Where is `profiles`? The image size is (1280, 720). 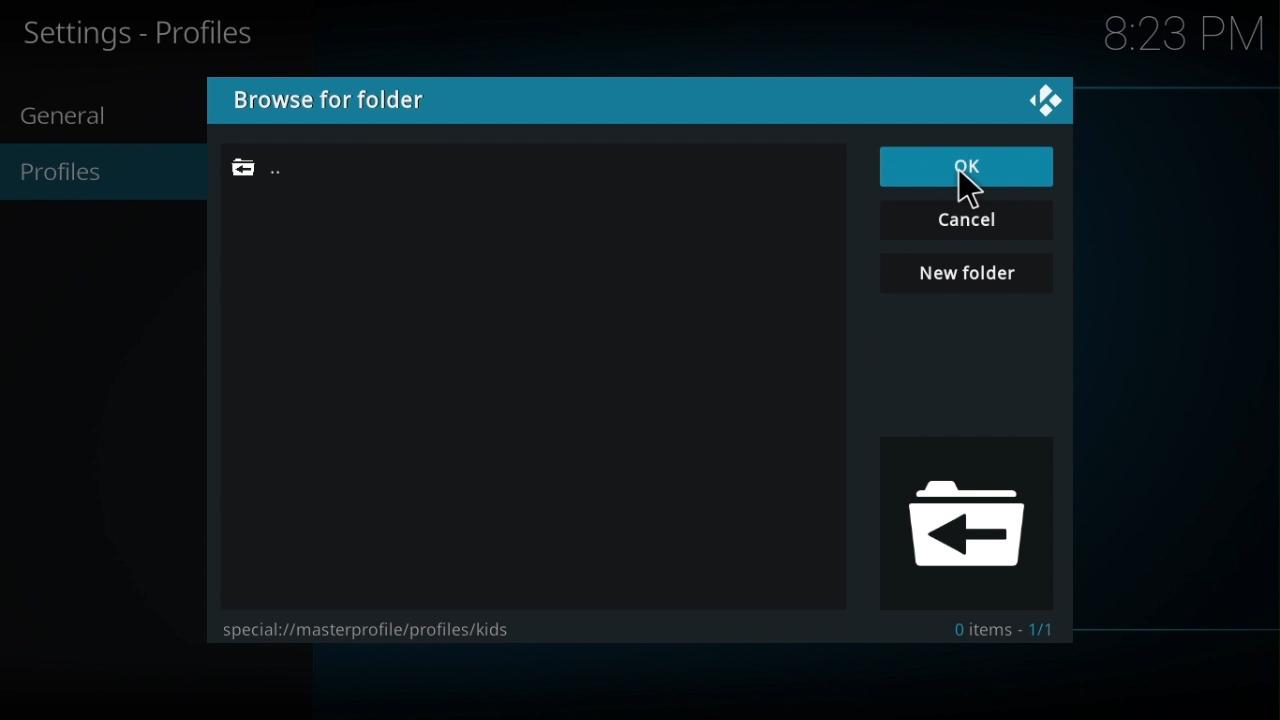
profiles is located at coordinates (65, 173).